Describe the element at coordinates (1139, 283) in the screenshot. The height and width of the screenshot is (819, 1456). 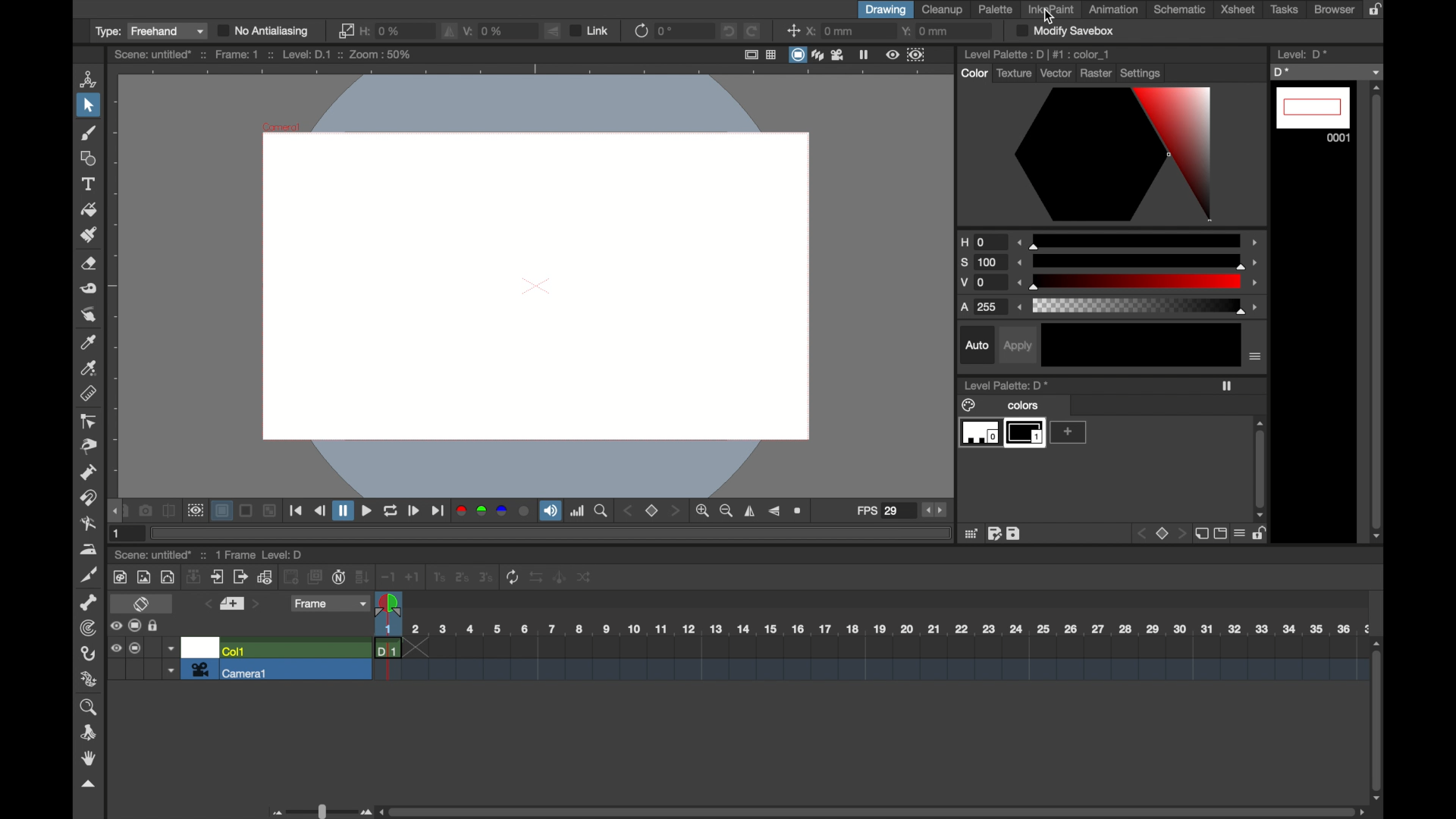
I see `scale` at that location.